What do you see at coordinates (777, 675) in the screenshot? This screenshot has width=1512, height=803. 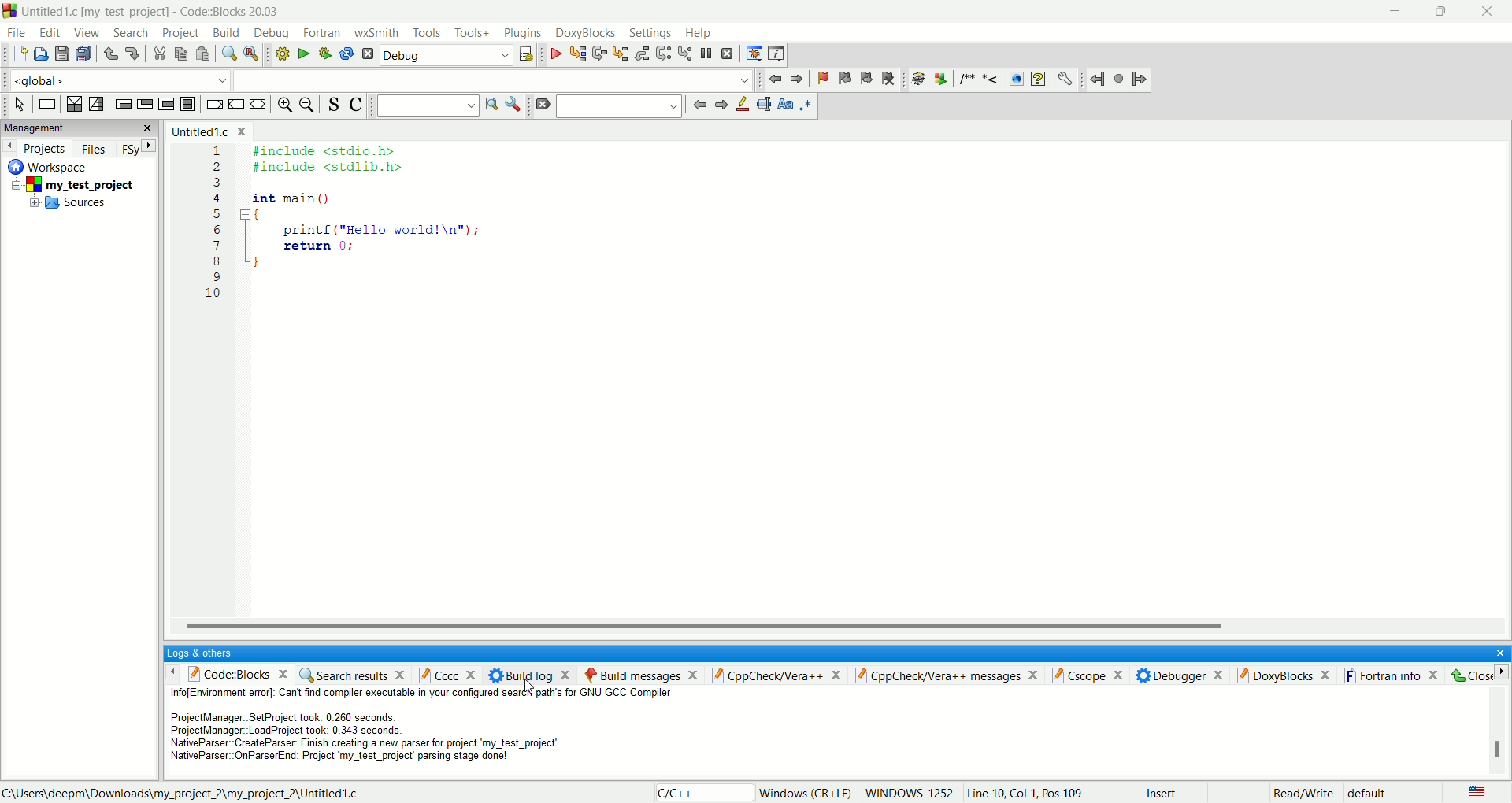 I see `CppCheck/vera++` at bounding box center [777, 675].